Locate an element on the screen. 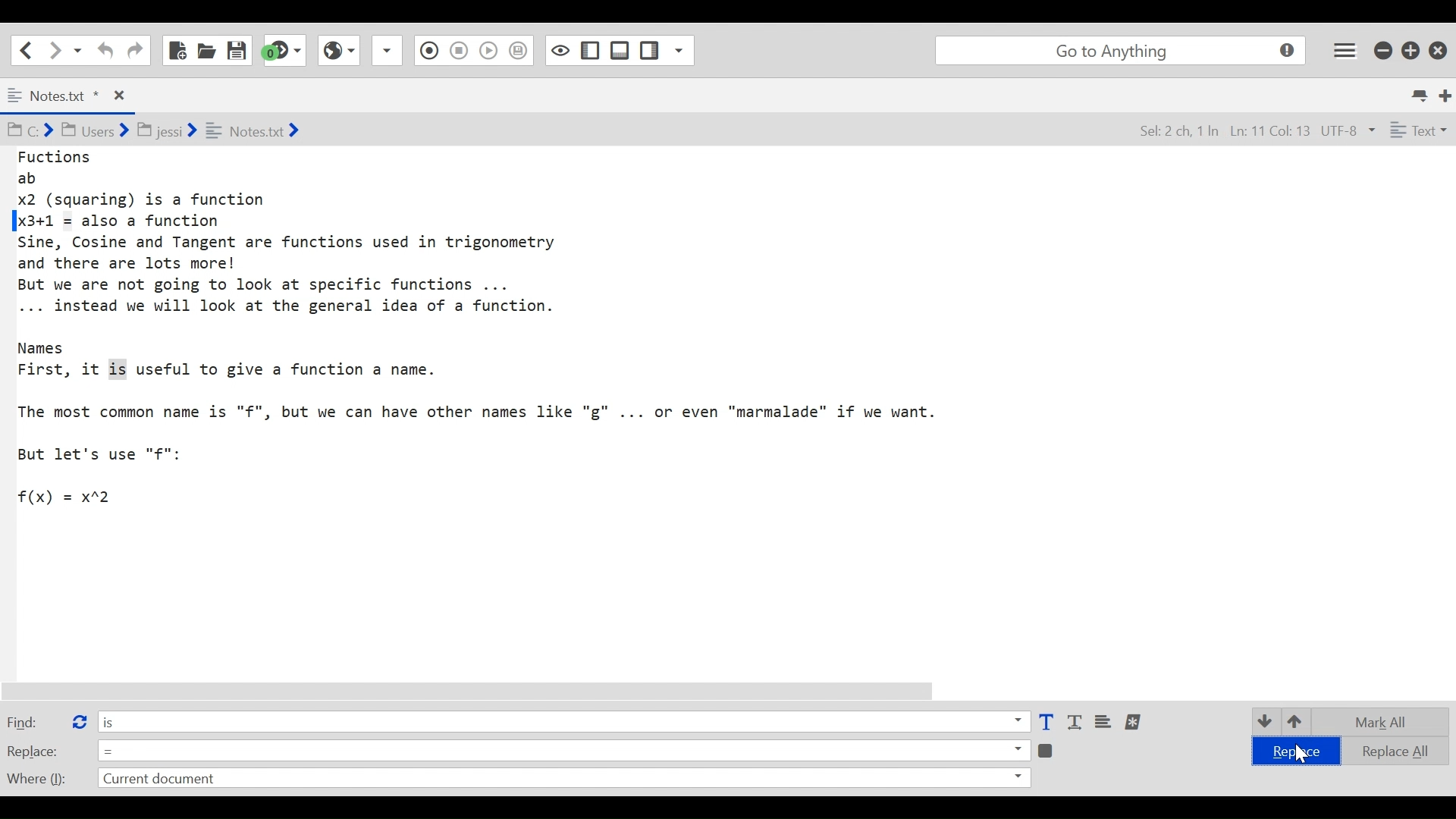 The width and height of the screenshot is (1456, 819). Go back one location is located at coordinates (22, 49).